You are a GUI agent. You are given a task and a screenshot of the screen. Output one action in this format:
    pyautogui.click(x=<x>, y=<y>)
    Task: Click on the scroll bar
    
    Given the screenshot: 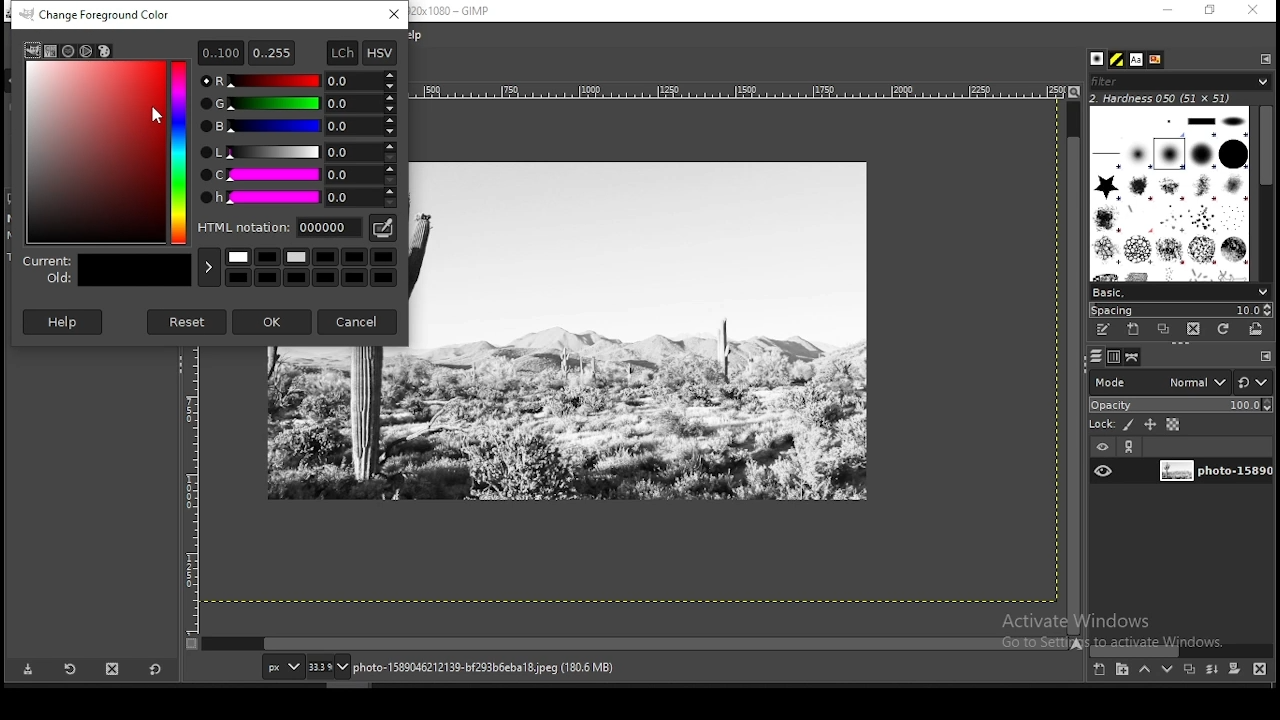 What is the action you would take?
    pyautogui.click(x=1181, y=650)
    